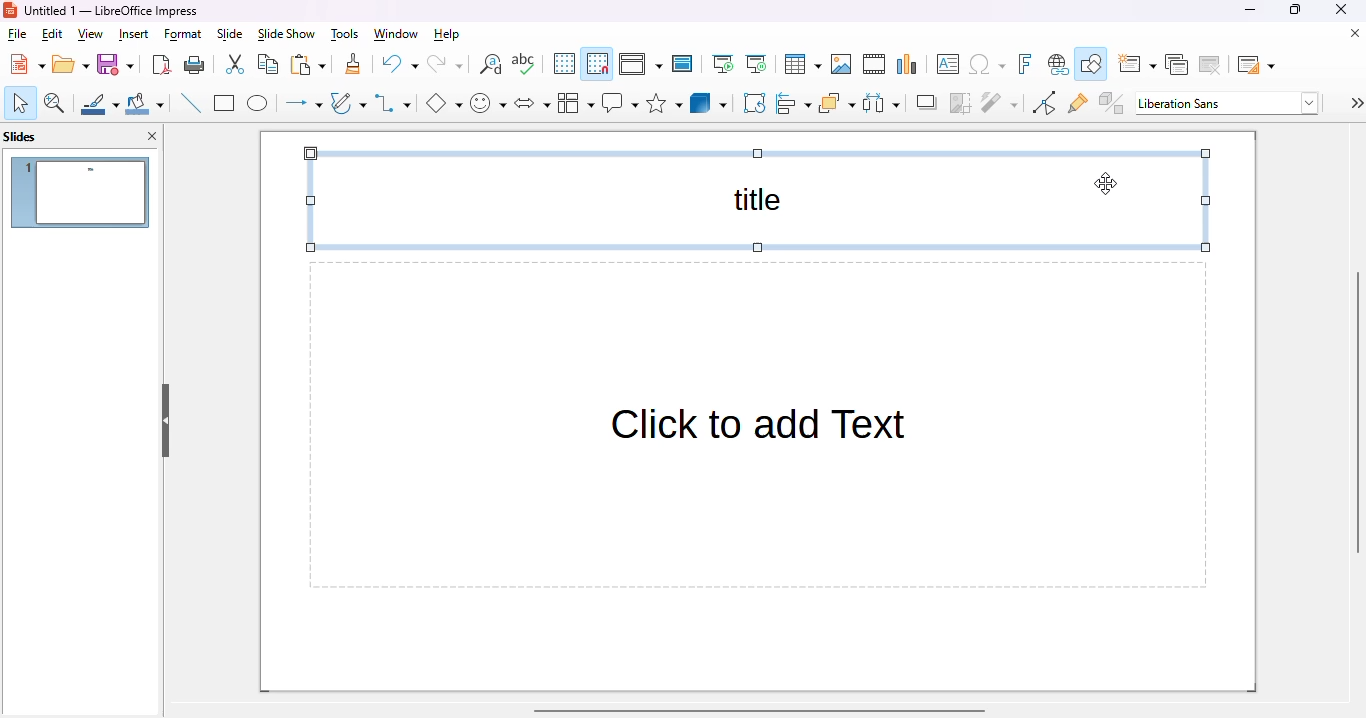 The width and height of the screenshot is (1366, 718). I want to click on start from current slide, so click(757, 64).